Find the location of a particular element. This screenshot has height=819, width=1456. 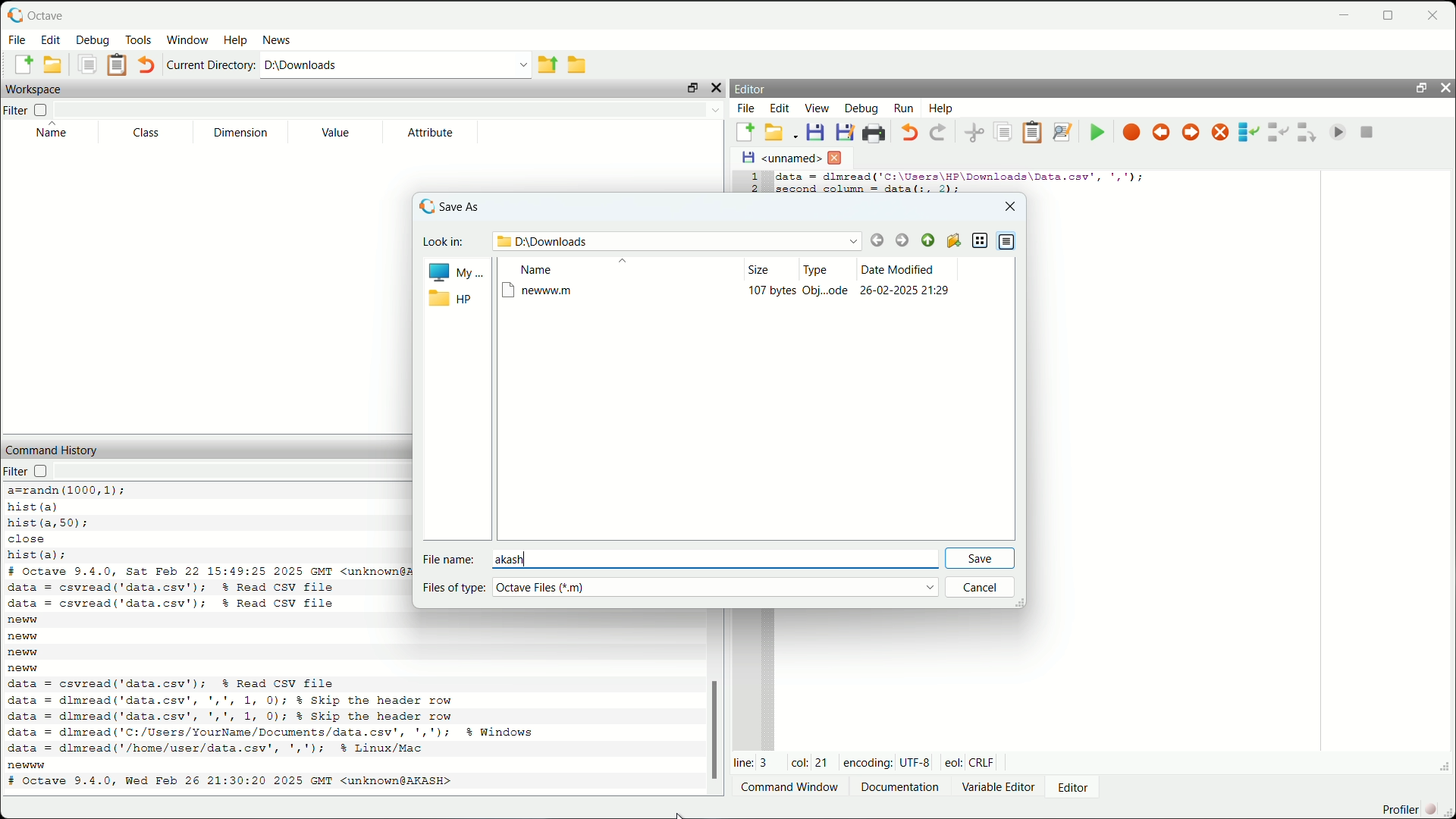

col: 21 is located at coordinates (809, 763).